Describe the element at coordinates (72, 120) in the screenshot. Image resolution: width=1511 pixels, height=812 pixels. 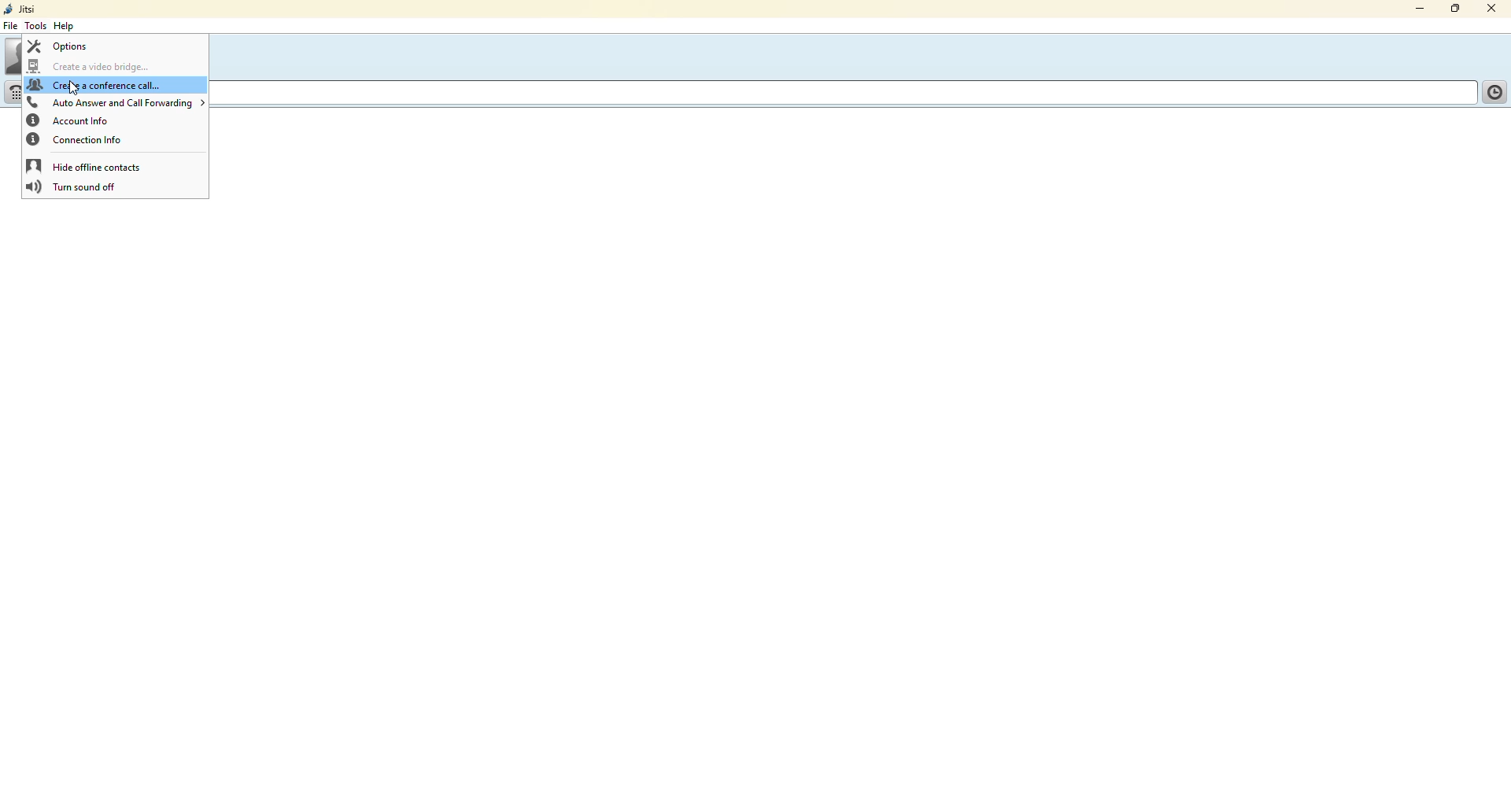
I see `account info` at that location.